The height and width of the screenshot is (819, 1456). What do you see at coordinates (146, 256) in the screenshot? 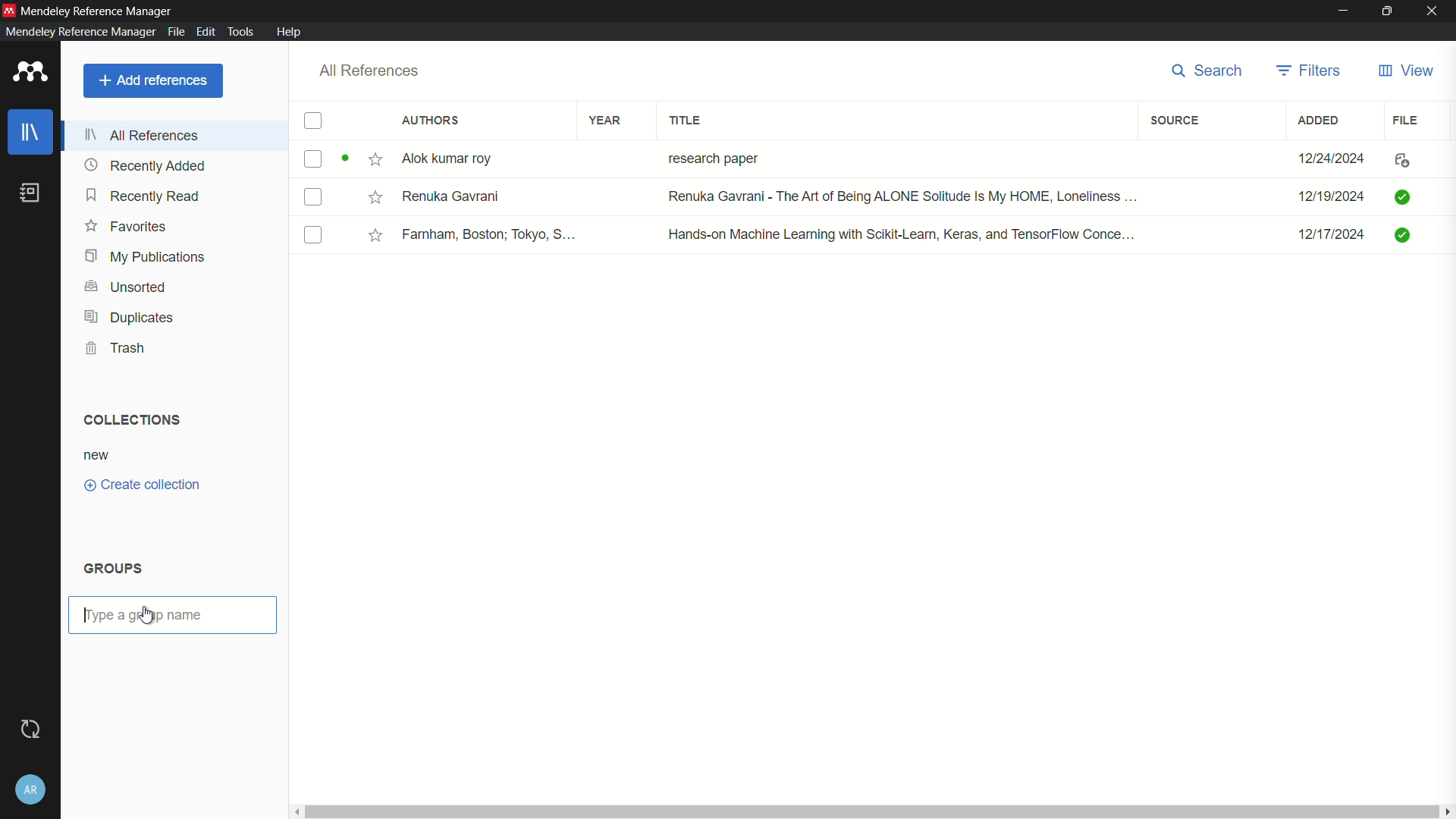
I see `my publications` at bounding box center [146, 256].